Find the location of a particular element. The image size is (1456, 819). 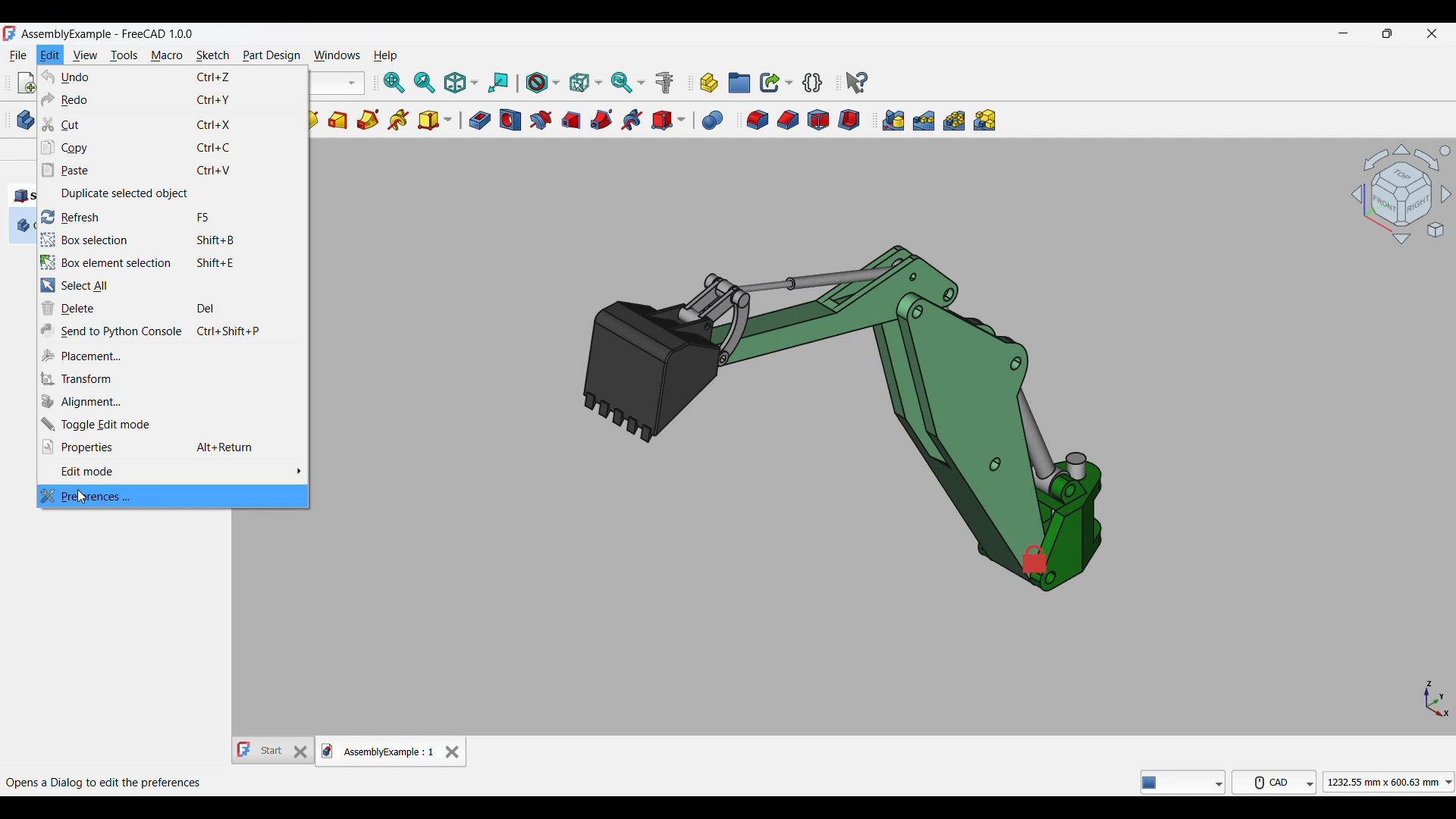

Sketch menu  is located at coordinates (213, 55).